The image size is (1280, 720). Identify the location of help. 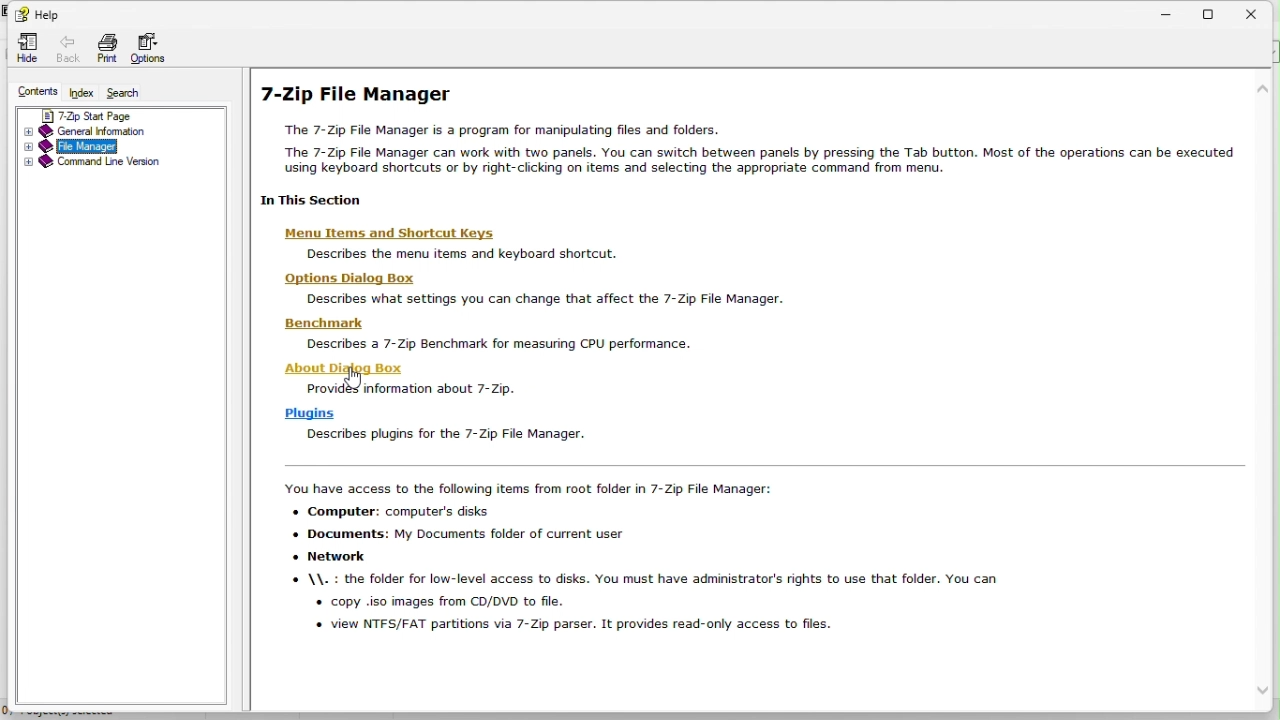
(39, 14).